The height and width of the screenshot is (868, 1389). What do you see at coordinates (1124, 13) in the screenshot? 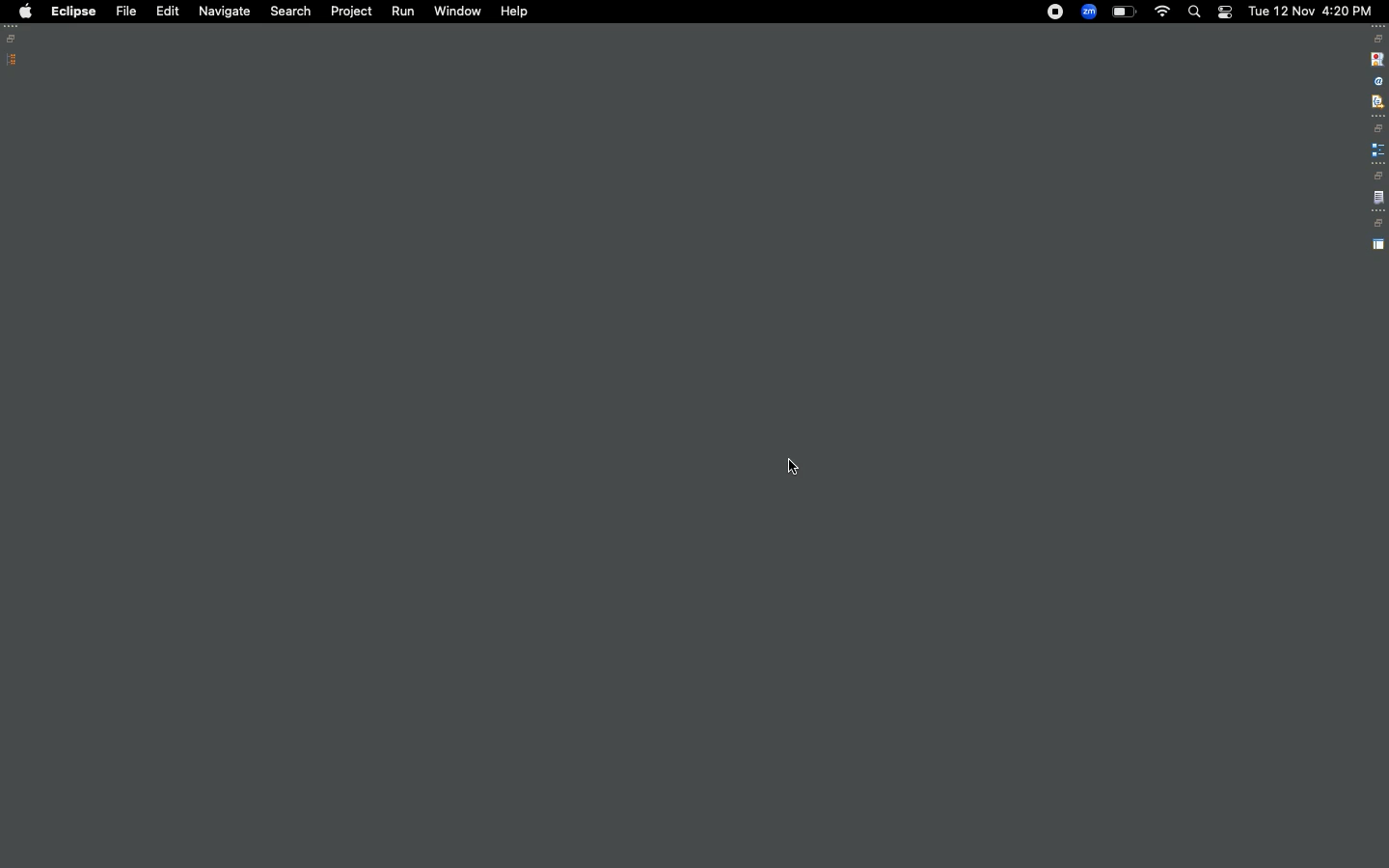
I see `Charge` at bounding box center [1124, 13].